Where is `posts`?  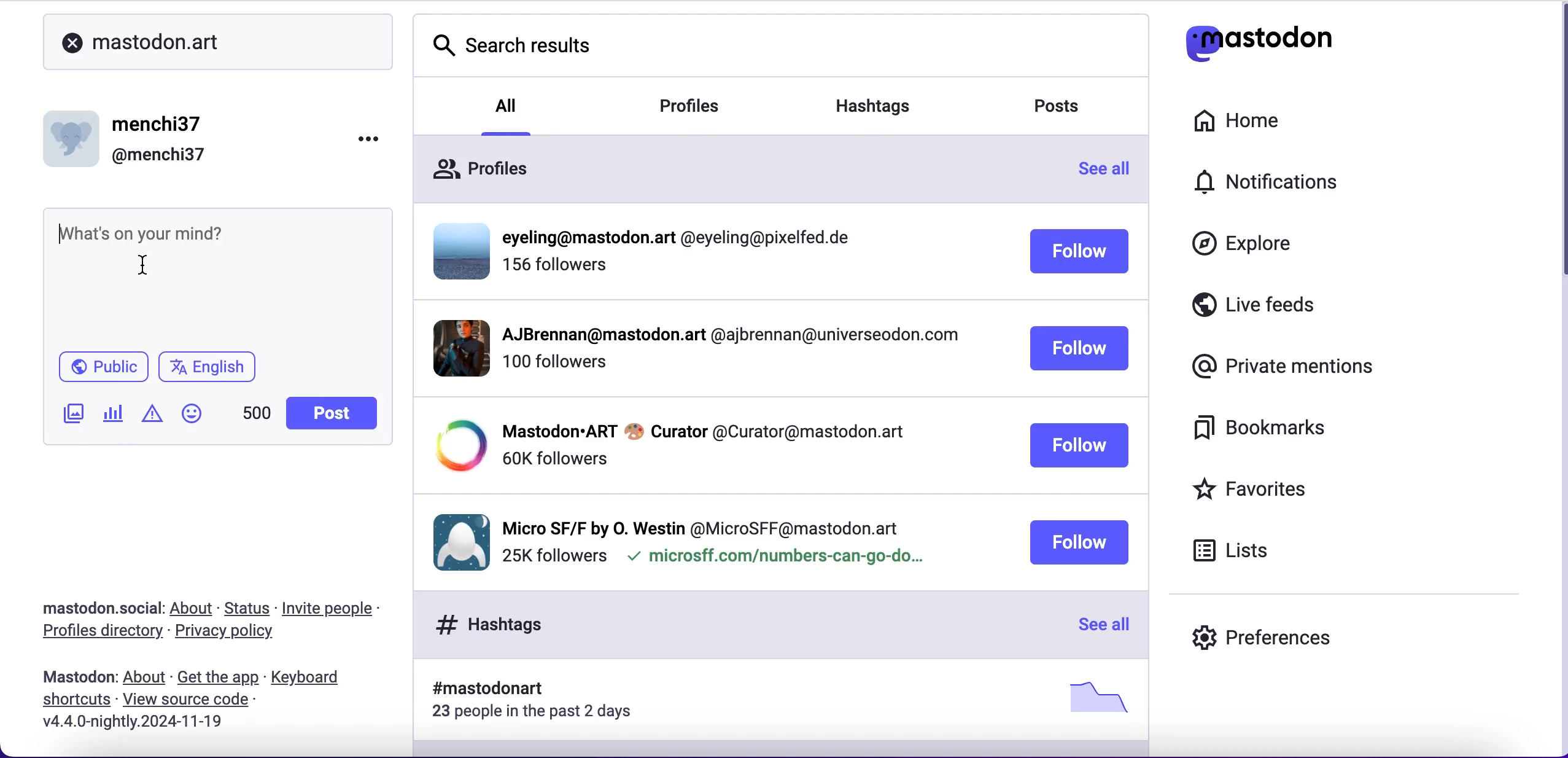
posts is located at coordinates (1068, 109).